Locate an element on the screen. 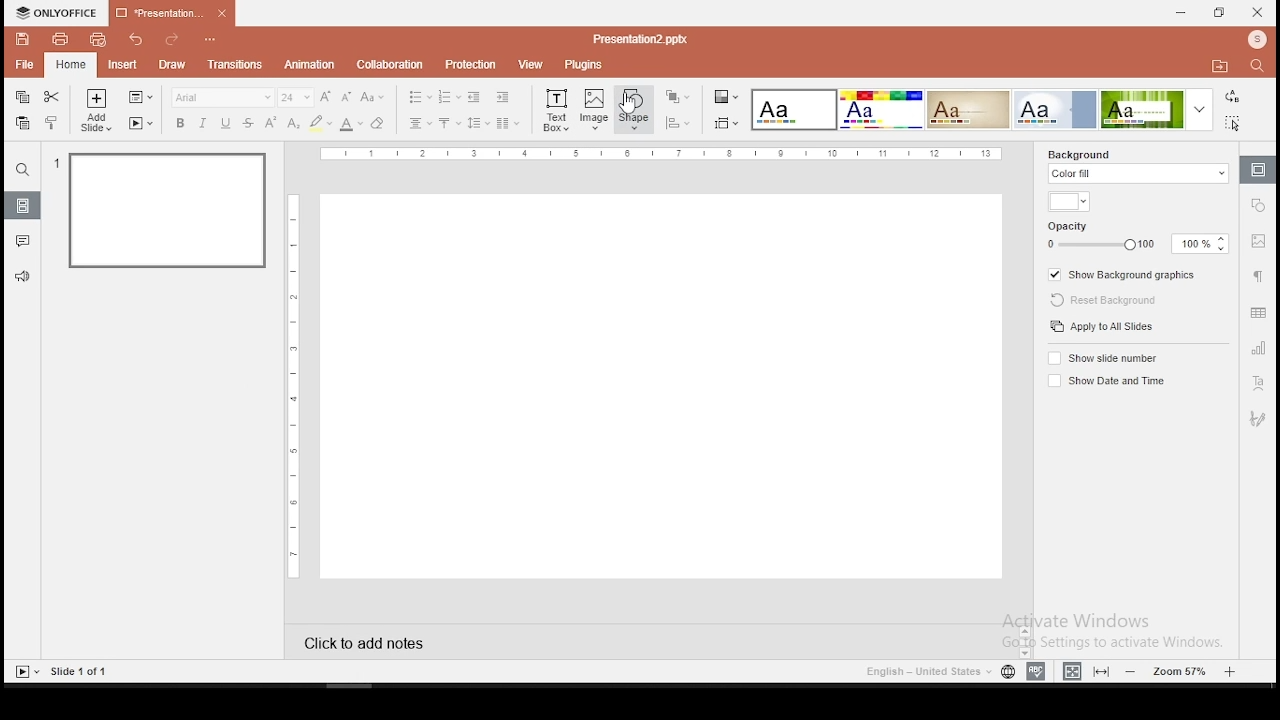 This screenshot has height=720, width=1280. apply to all slides is located at coordinates (1104, 326).